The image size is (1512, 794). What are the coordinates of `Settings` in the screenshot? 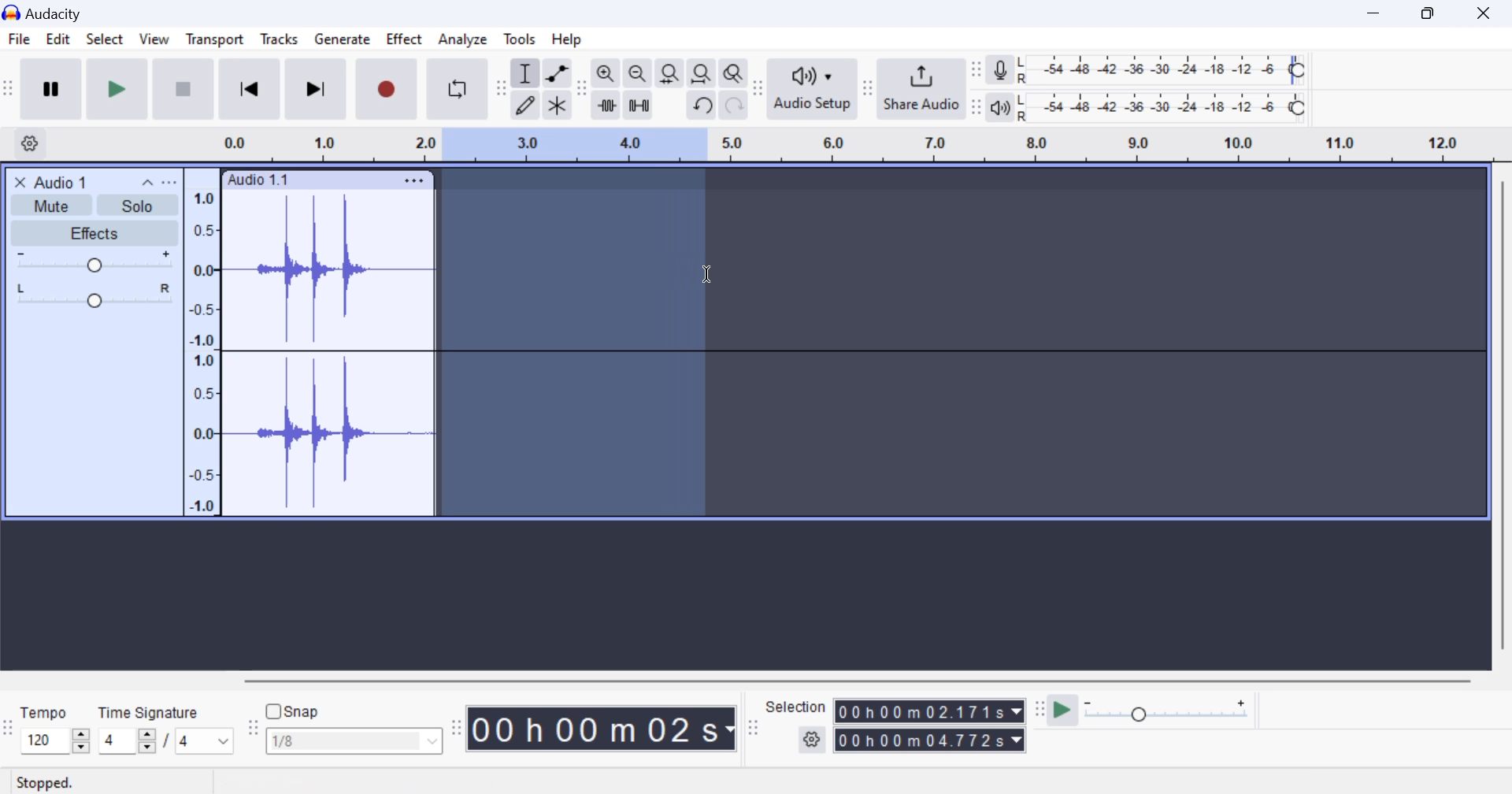 It's located at (32, 143).